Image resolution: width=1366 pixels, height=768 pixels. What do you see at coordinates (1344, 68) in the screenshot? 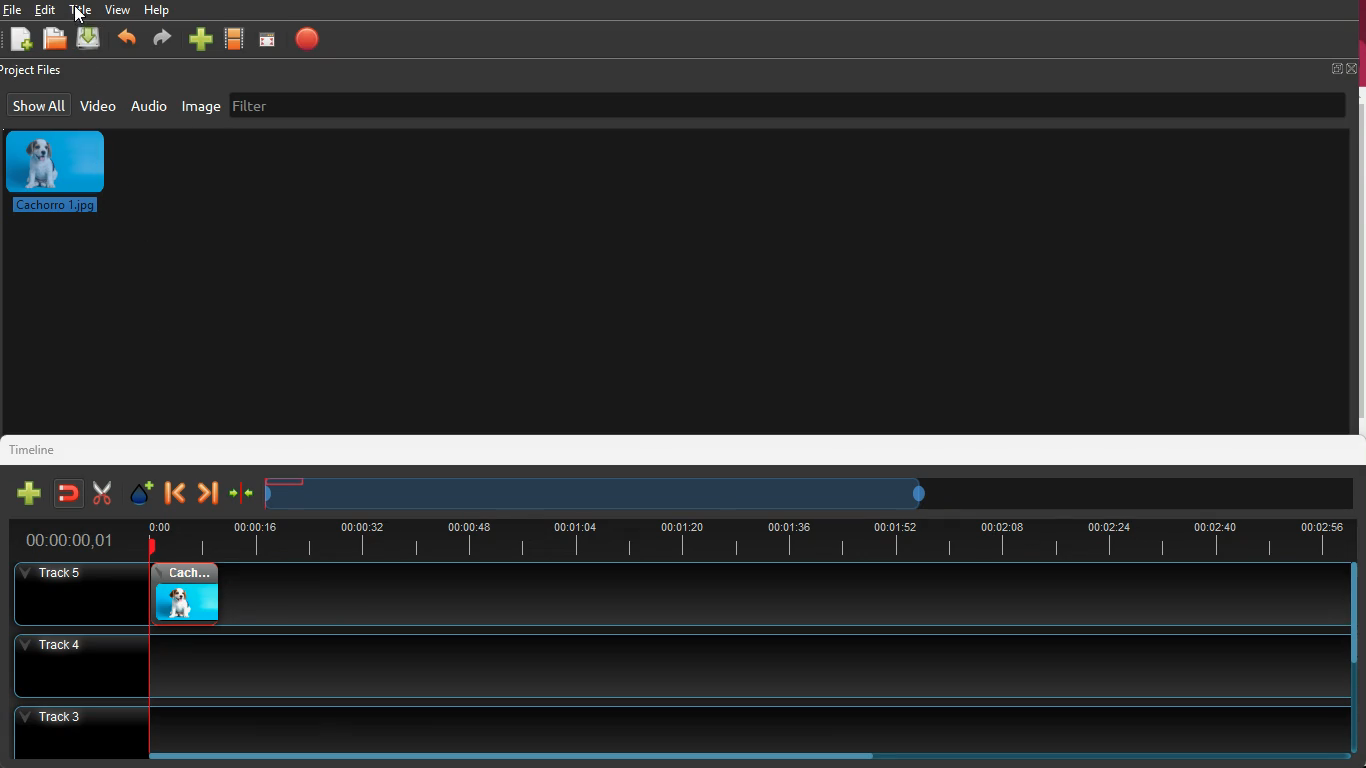
I see `full screen` at bounding box center [1344, 68].